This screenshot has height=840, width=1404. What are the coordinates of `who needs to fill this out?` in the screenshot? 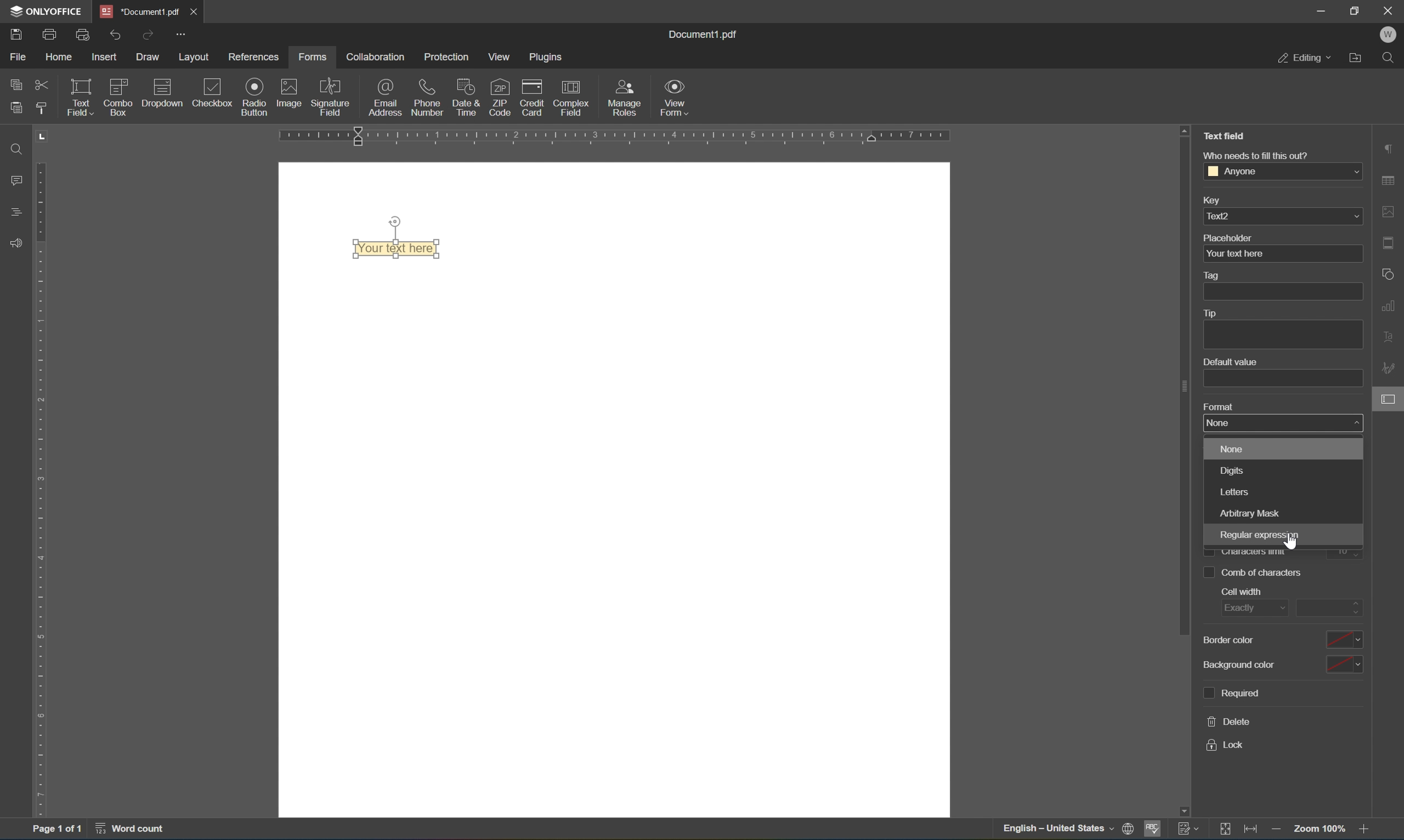 It's located at (1258, 155).